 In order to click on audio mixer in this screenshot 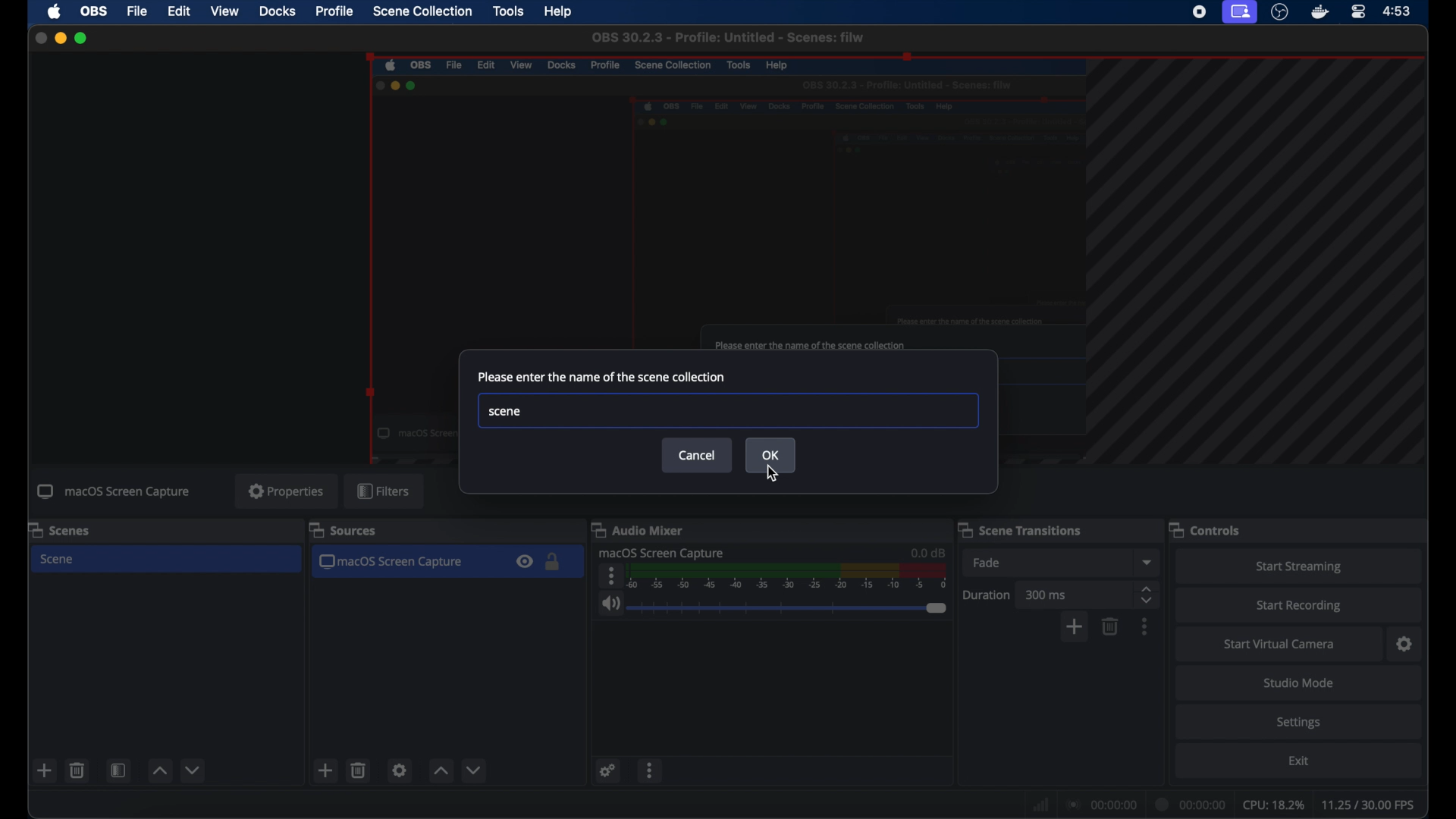, I will do `click(642, 529)`.